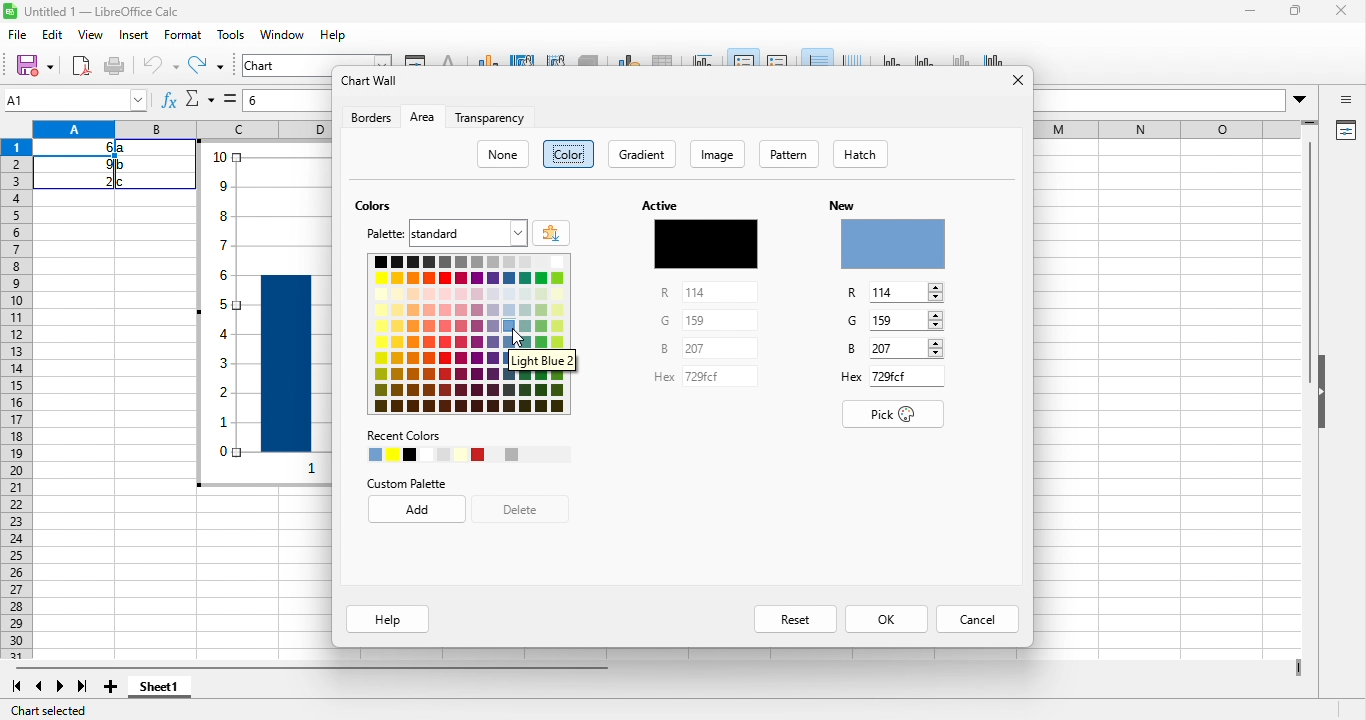  I want to click on 114, so click(907, 292).